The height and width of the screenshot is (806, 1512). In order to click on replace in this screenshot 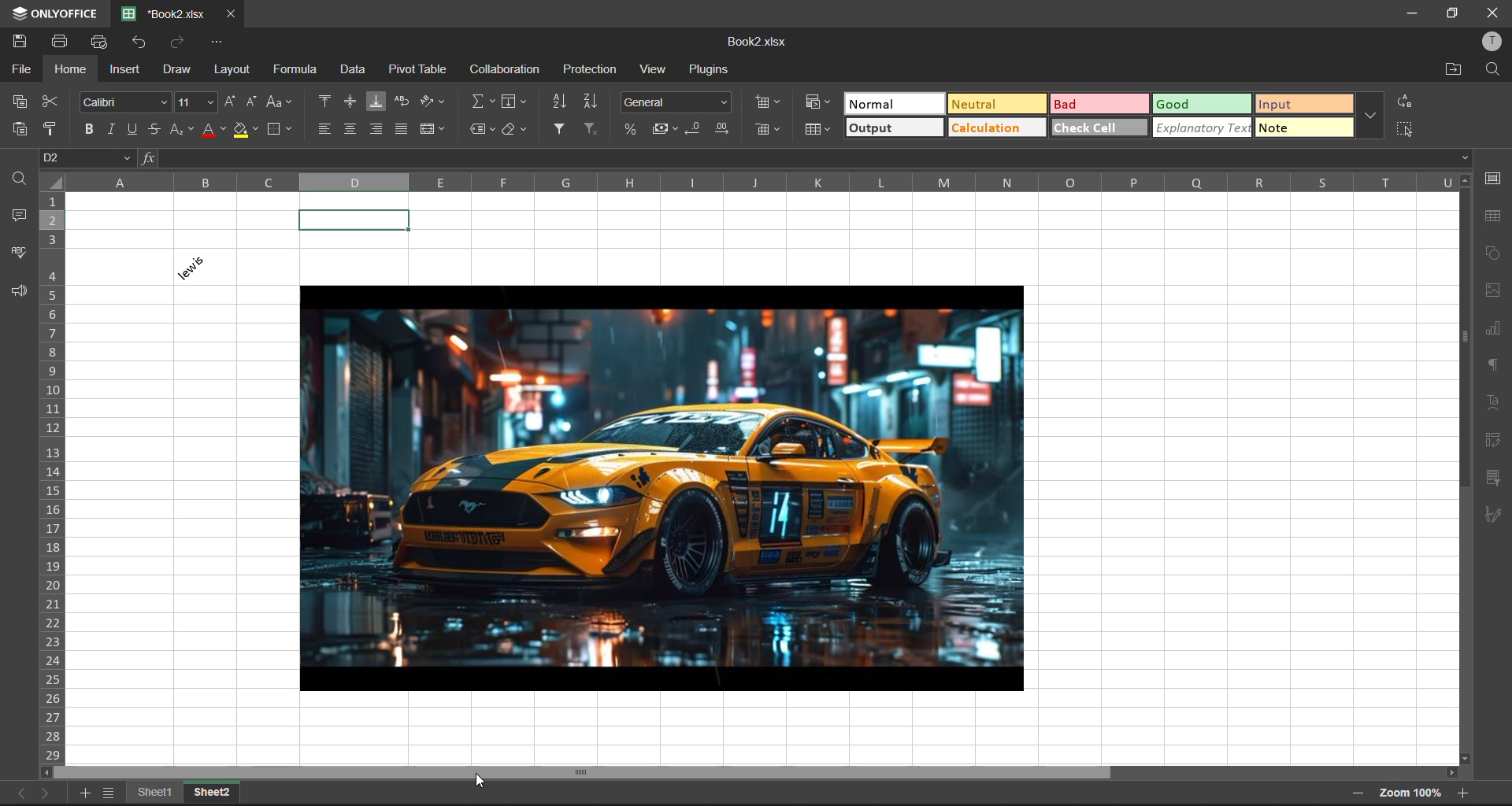, I will do `click(1406, 102)`.